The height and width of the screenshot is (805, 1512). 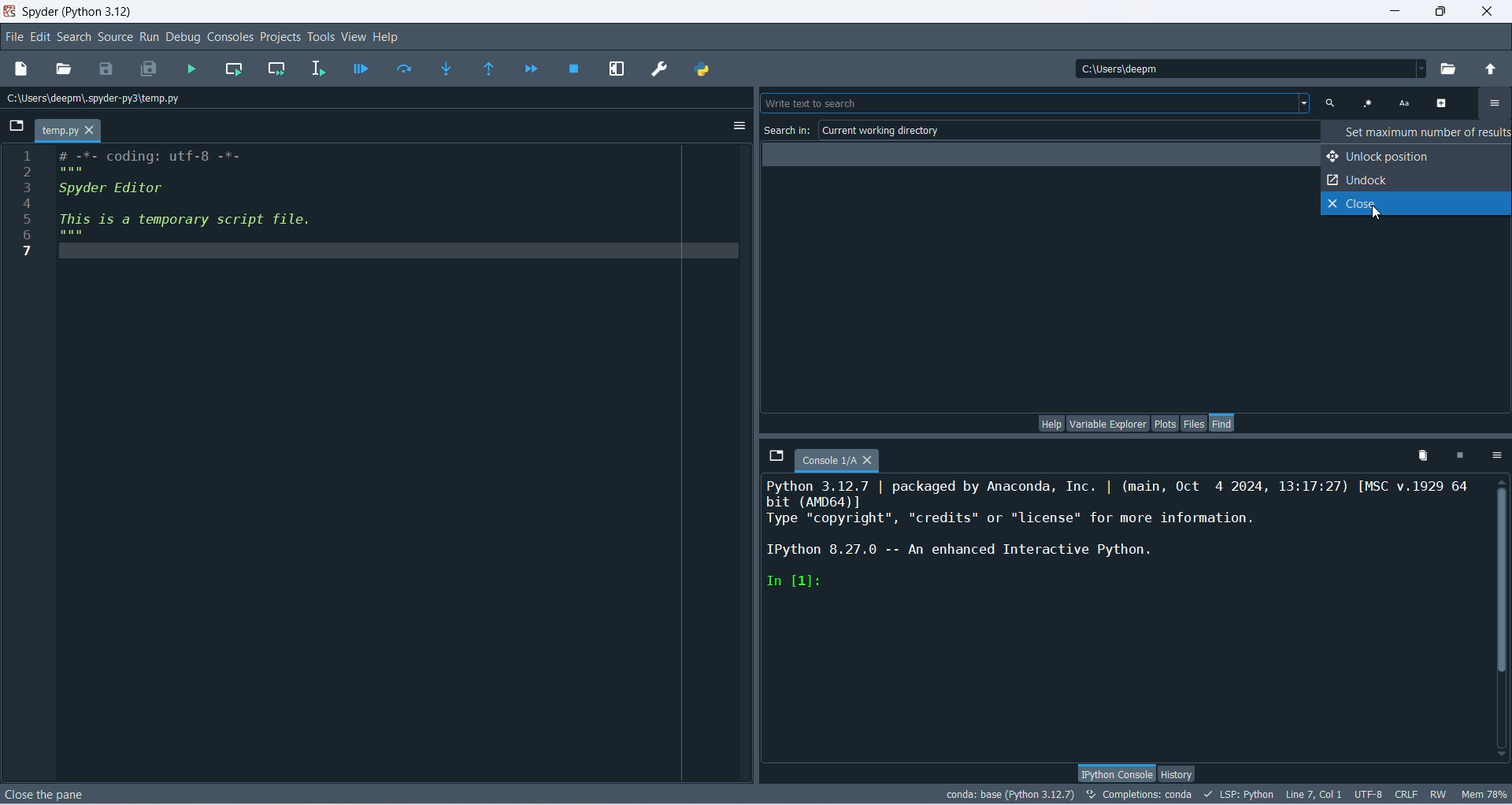 What do you see at coordinates (837, 462) in the screenshot?
I see `console` at bounding box center [837, 462].